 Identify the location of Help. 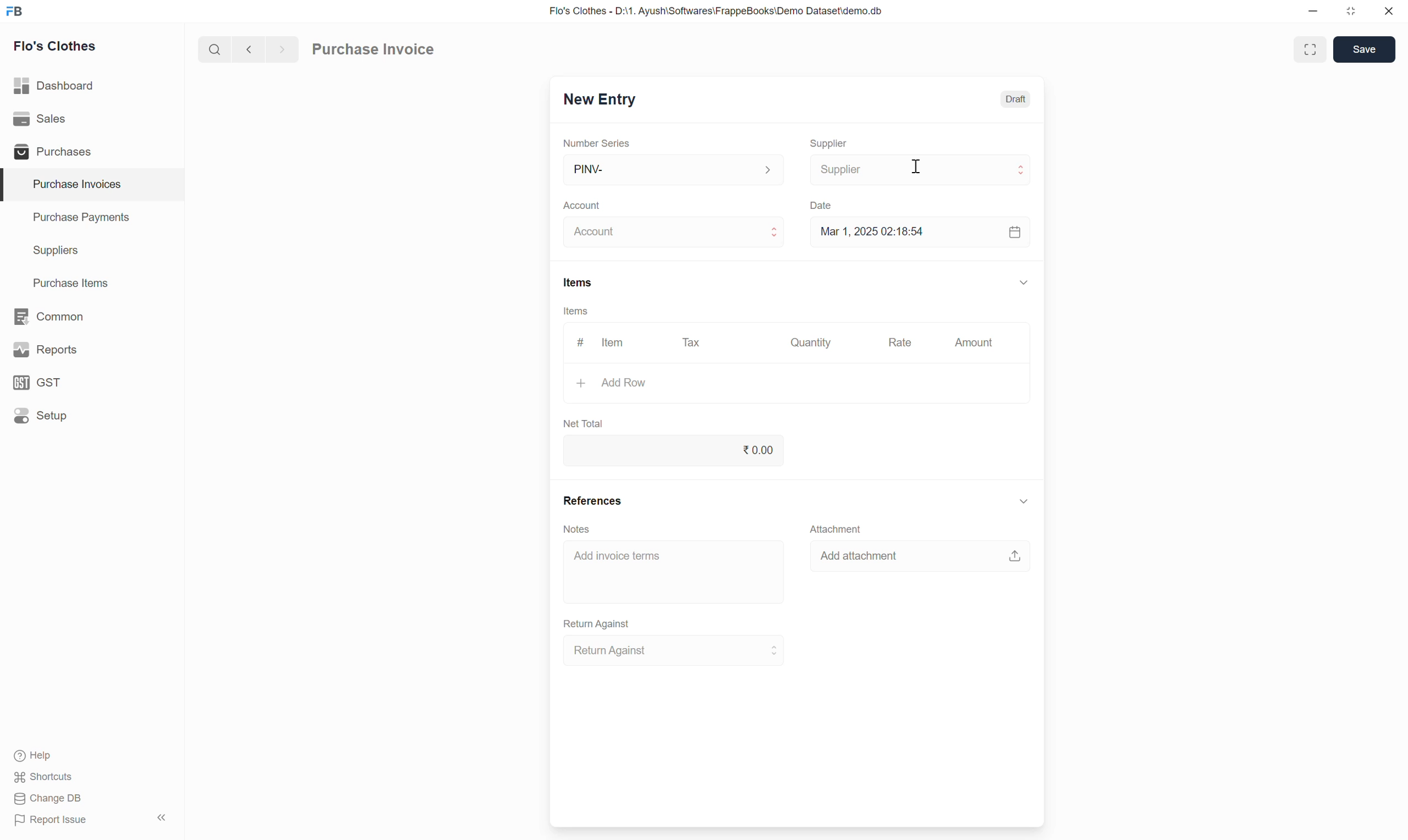
(38, 756).